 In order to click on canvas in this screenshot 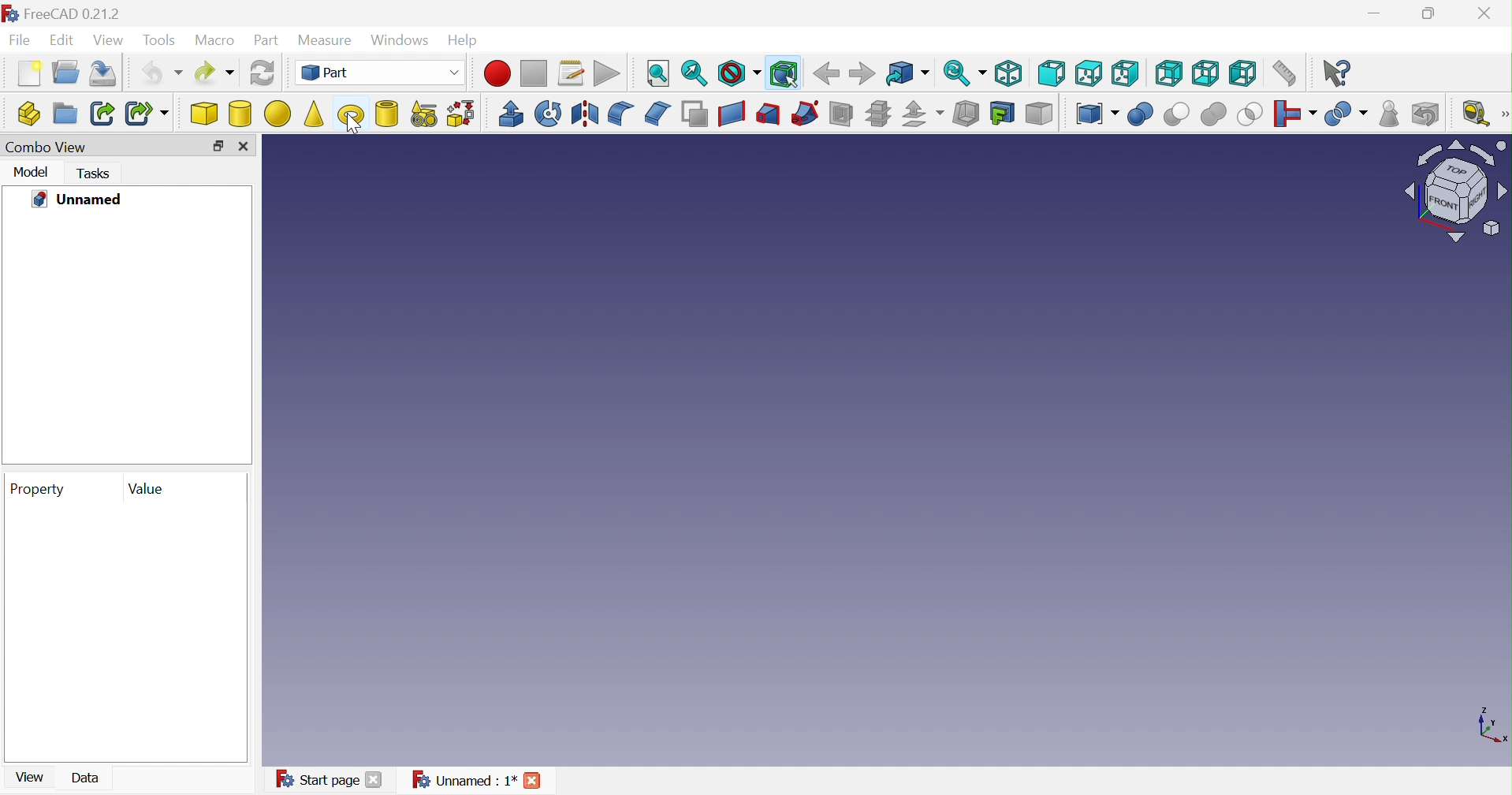, I will do `click(833, 451)`.